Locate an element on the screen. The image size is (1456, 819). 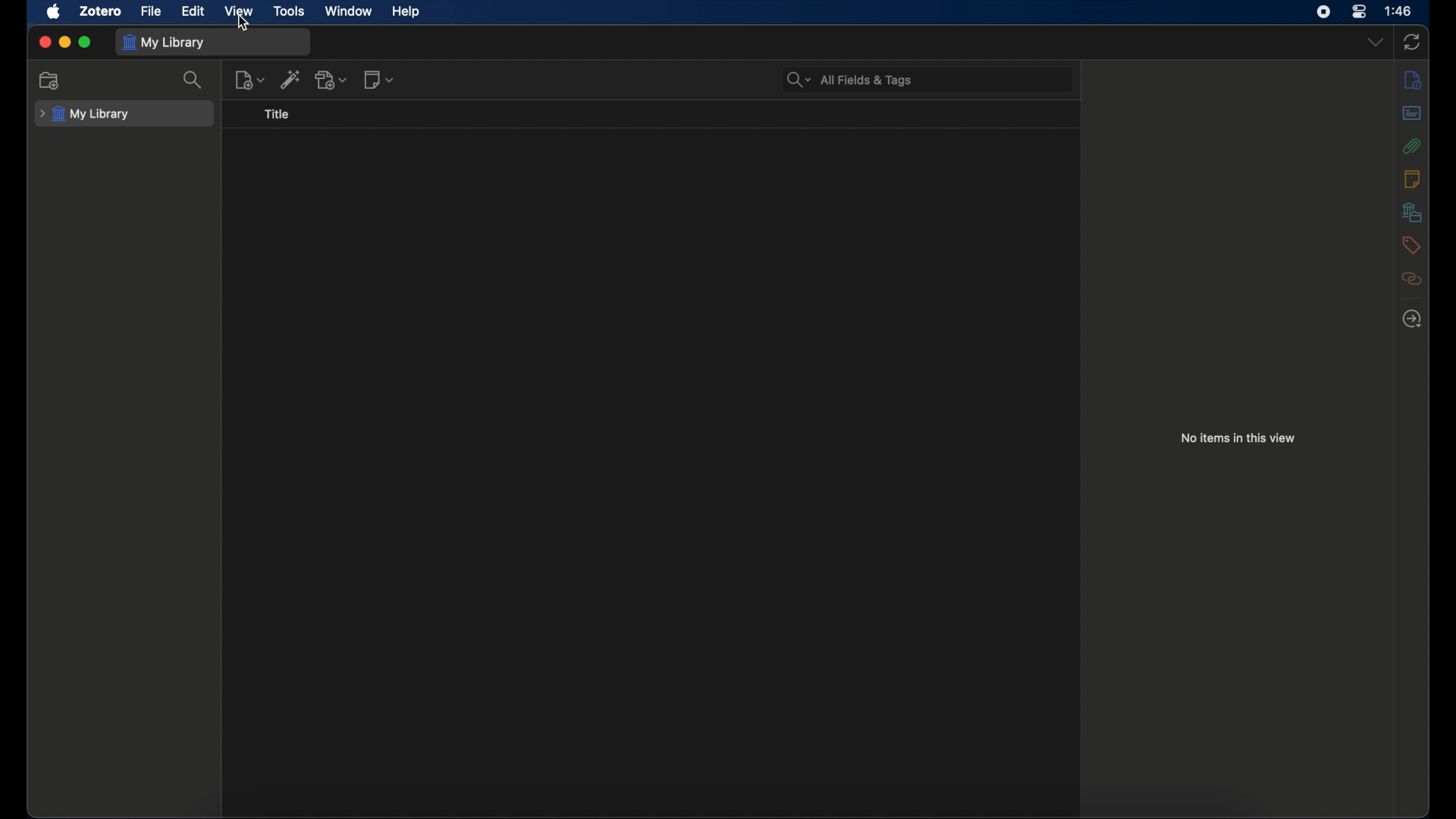
sync is located at coordinates (1411, 42).